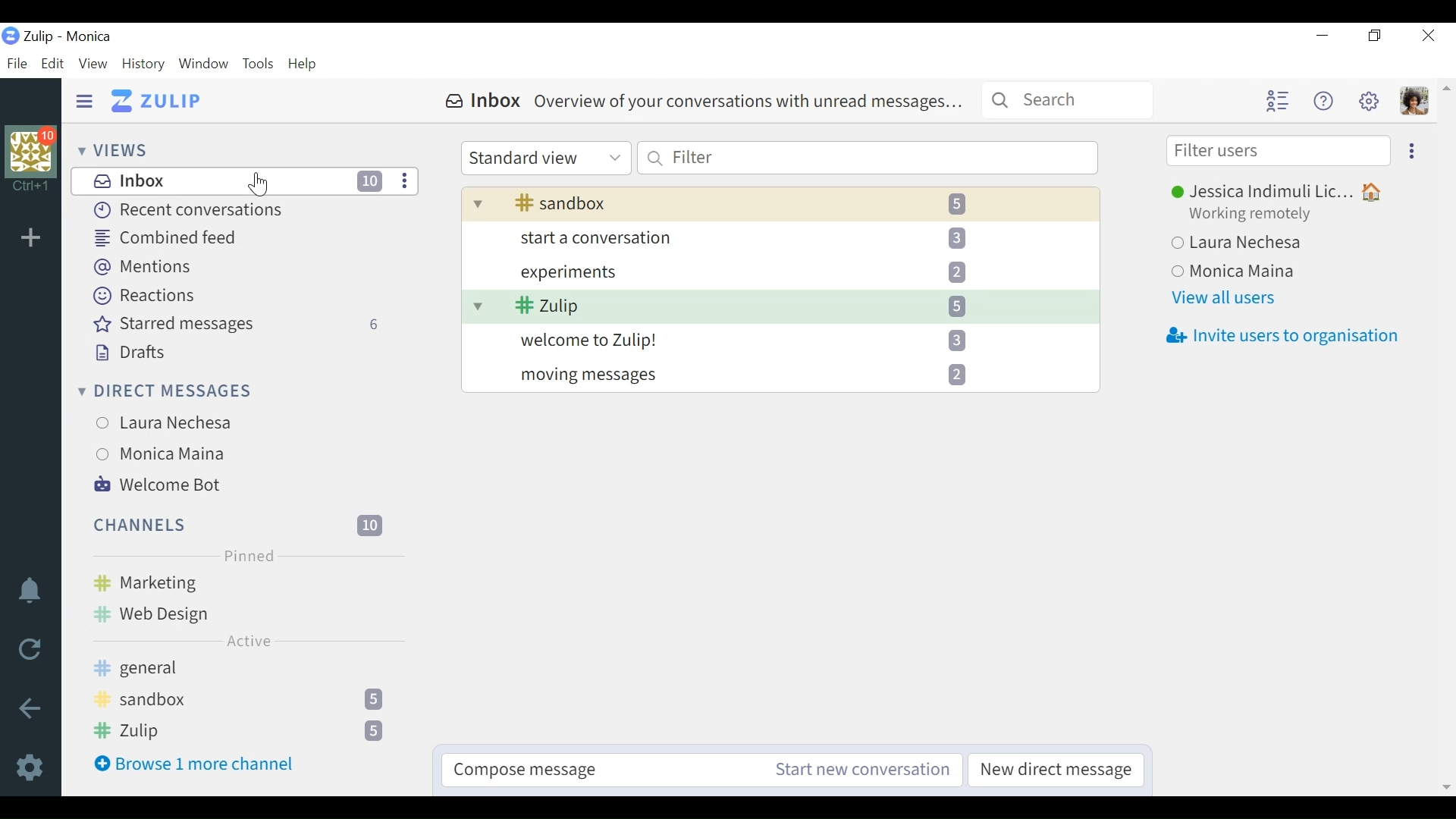  What do you see at coordinates (93, 63) in the screenshot?
I see `View` at bounding box center [93, 63].